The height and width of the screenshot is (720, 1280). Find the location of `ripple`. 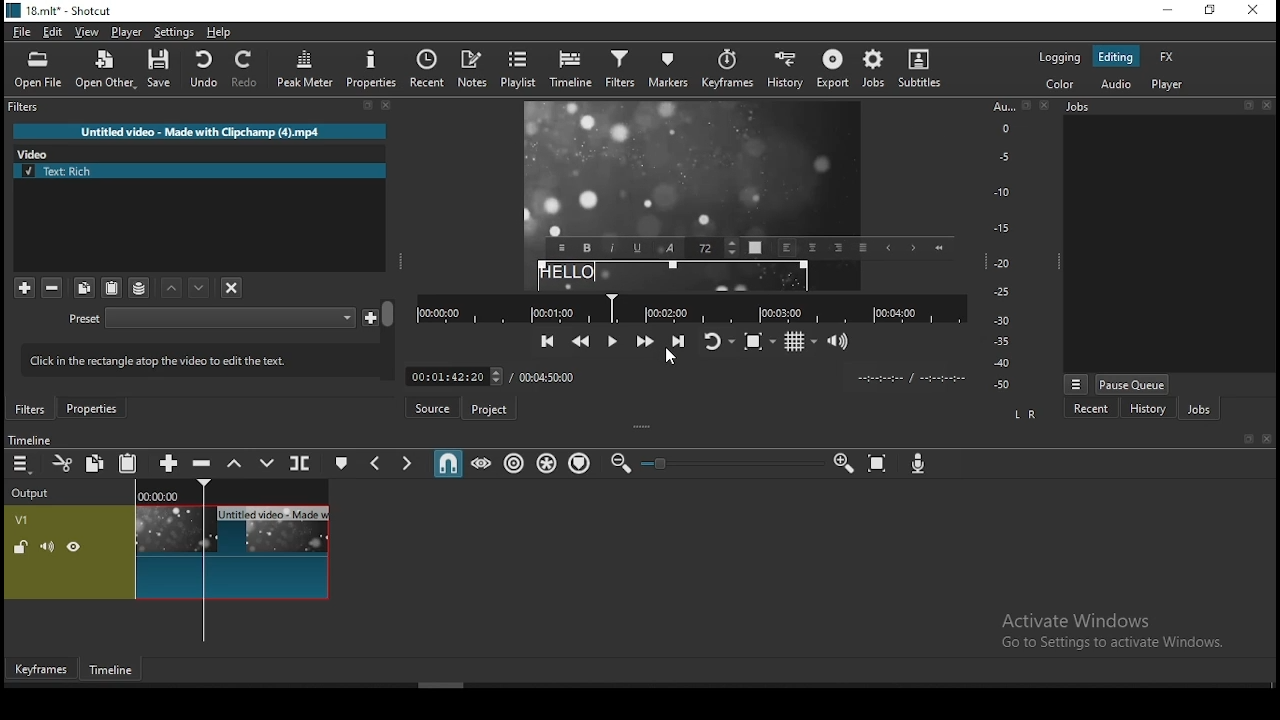

ripple is located at coordinates (513, 463).